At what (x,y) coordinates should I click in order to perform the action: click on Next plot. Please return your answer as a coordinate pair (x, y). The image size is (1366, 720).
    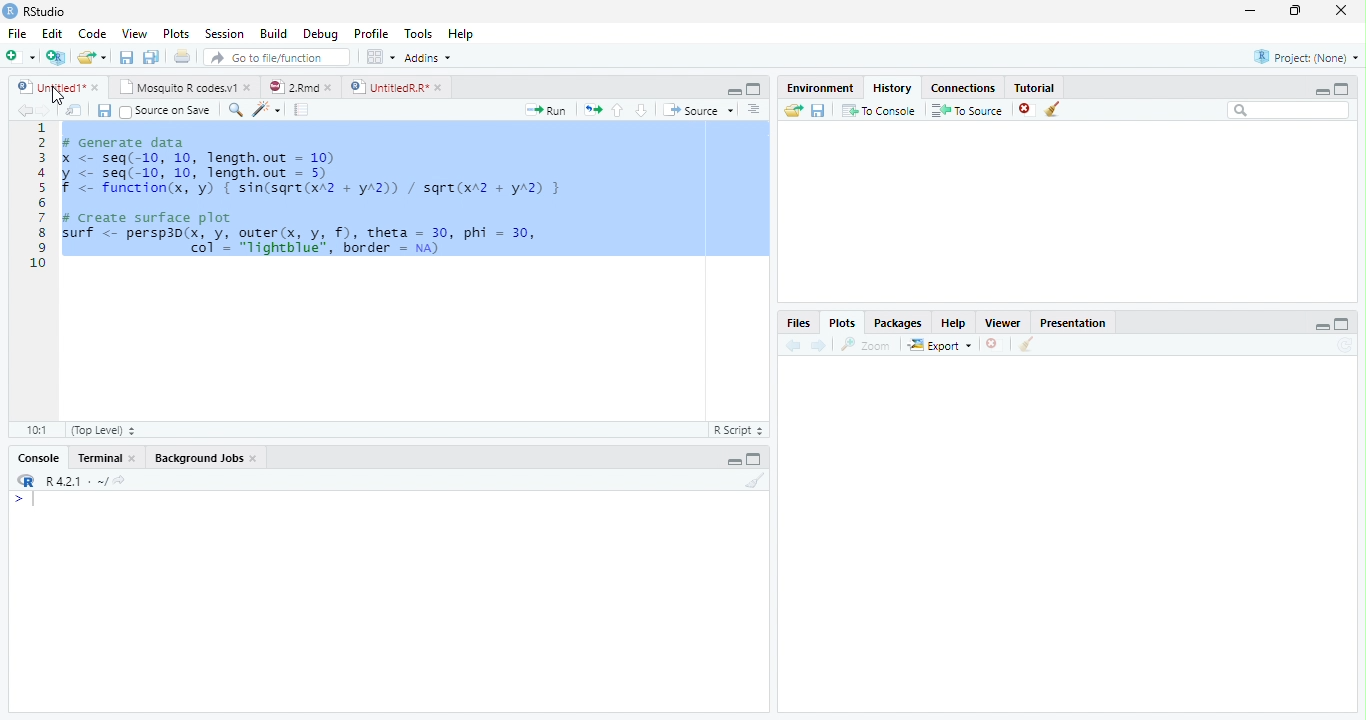
    Looking at the image, I should click on (819, 345).